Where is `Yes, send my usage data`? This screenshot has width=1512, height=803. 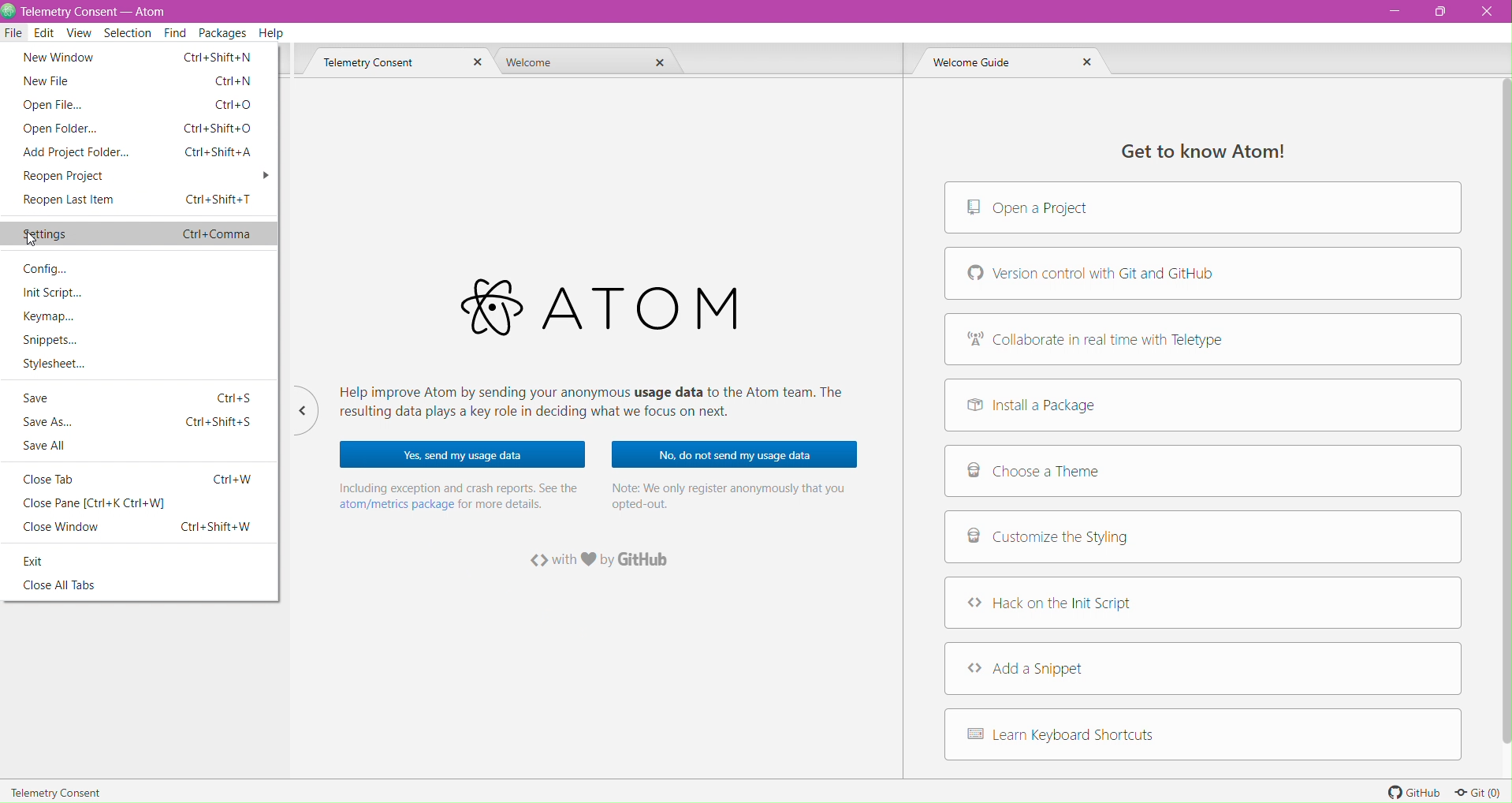 Yes, send my usage data is located at coordinates (464, 454).